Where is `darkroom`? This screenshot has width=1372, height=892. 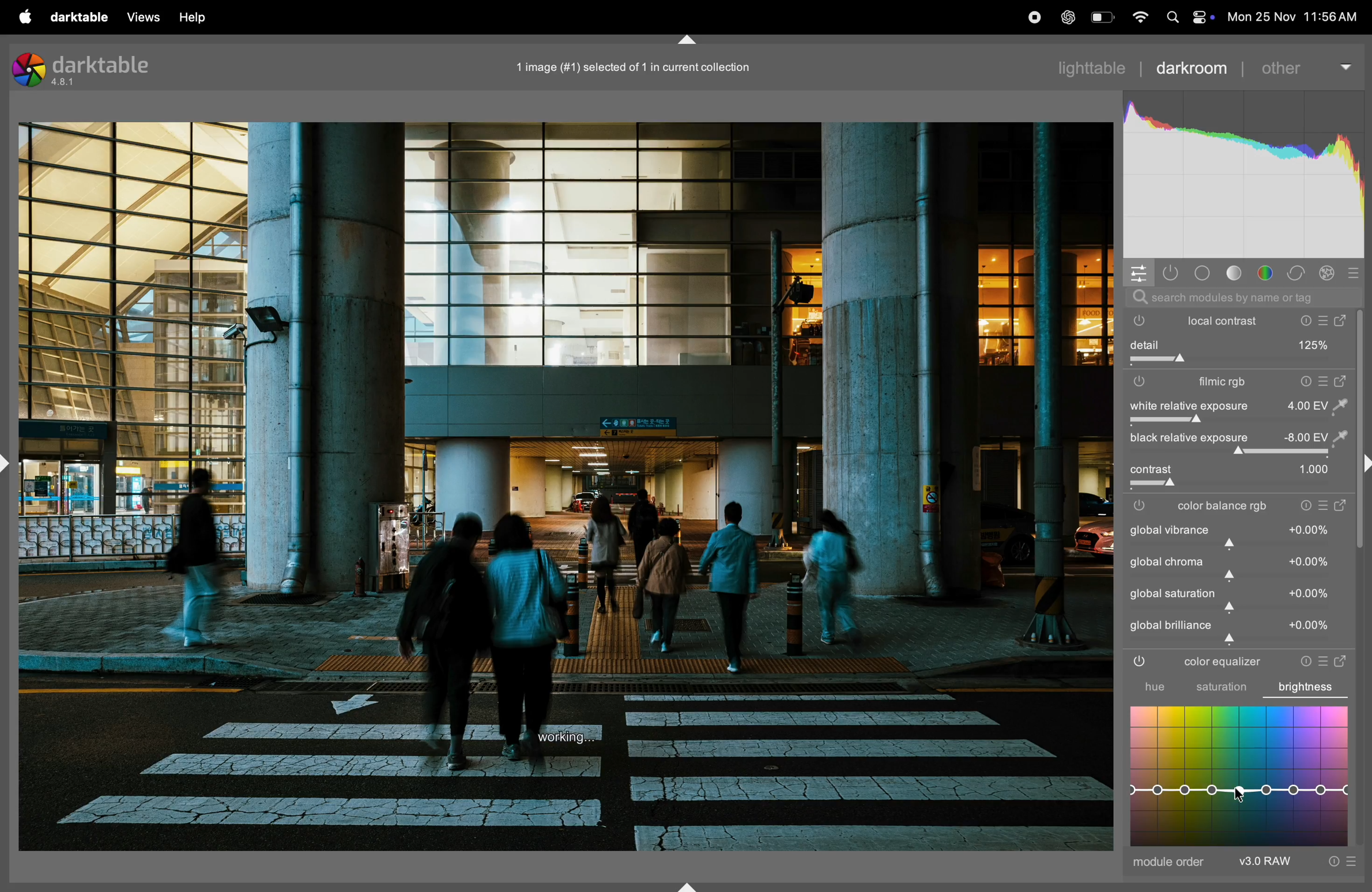
darkroom is located at coordinates (1192, 66).